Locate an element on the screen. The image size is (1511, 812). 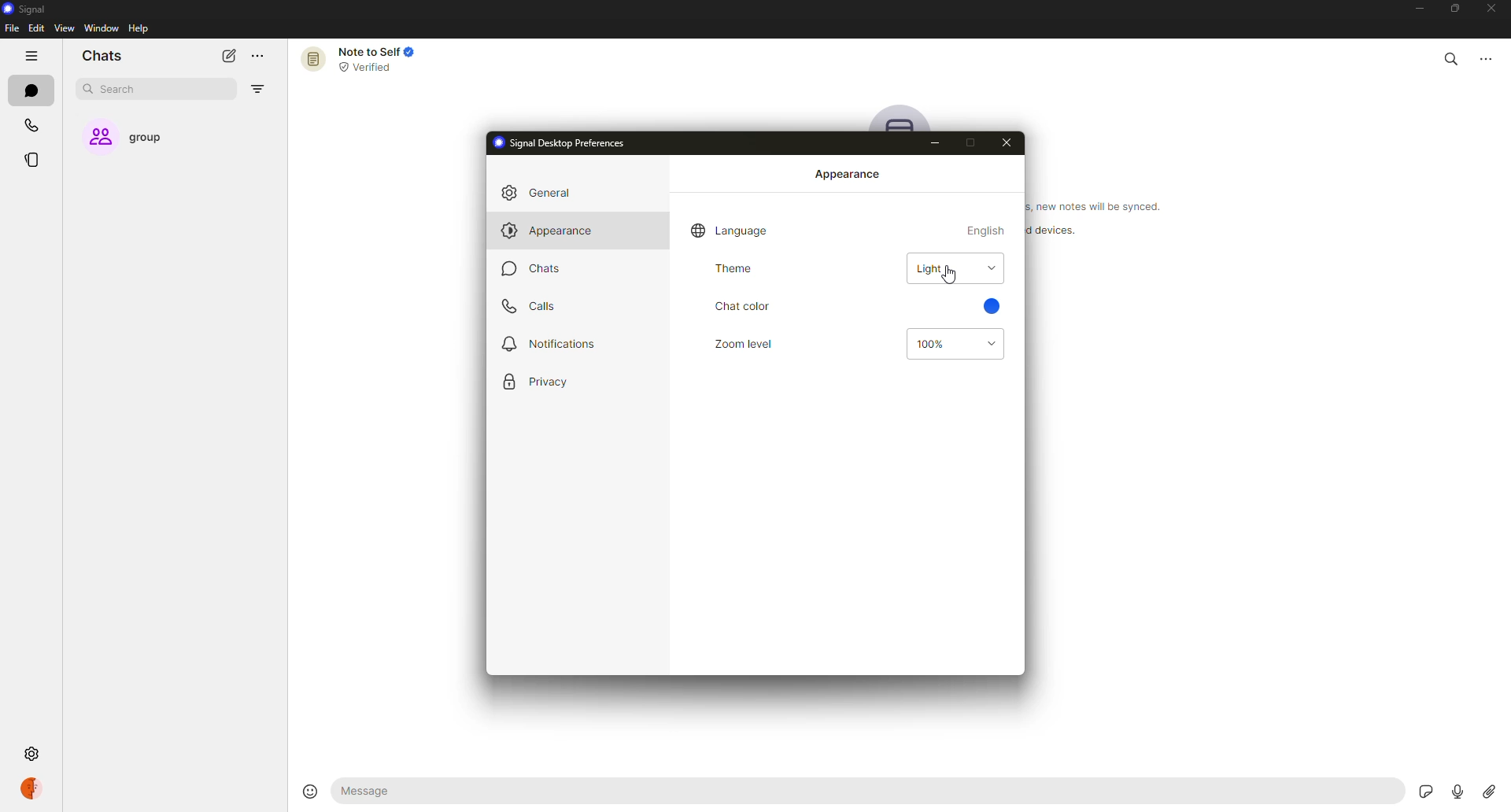
profile pic is located at coordinates (902, 118).